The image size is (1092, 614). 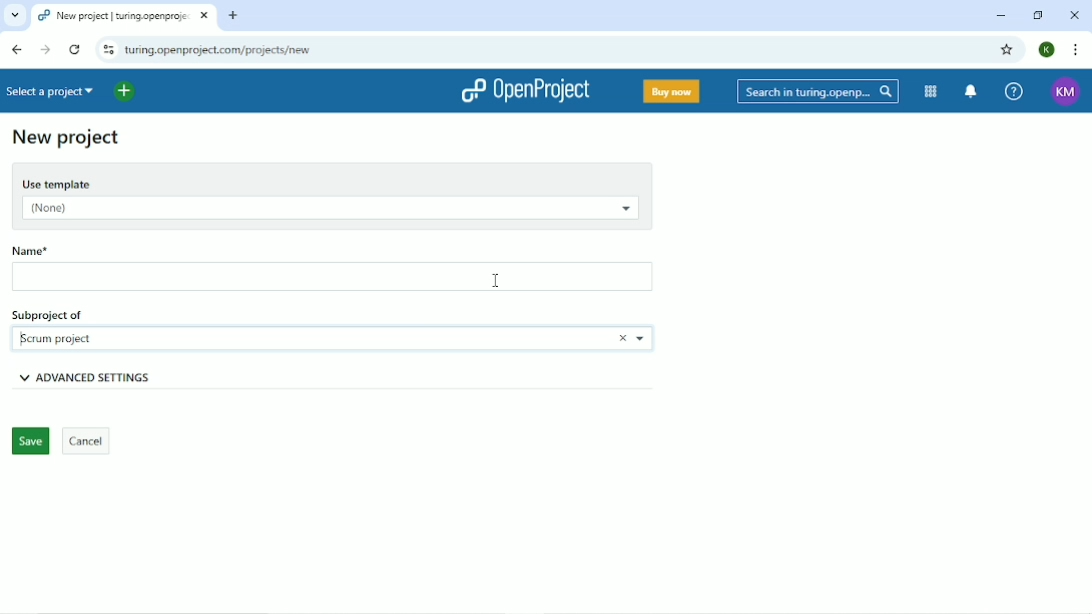 I want to click on Reload this page, so click(x=74, y=49).